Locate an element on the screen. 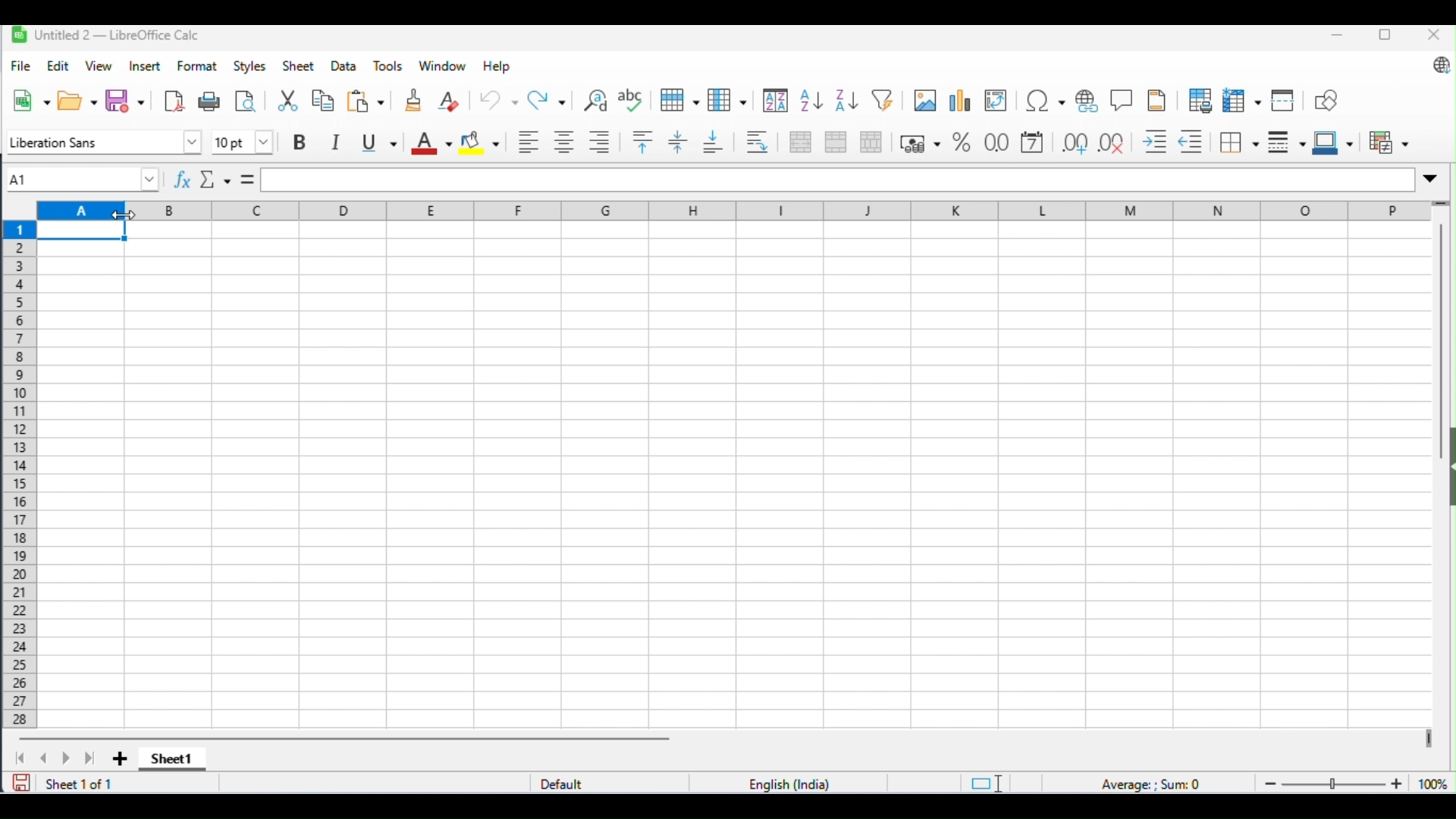 This screenshot has height=819, width=1456. define print area is located at coordinates (1200, 99).